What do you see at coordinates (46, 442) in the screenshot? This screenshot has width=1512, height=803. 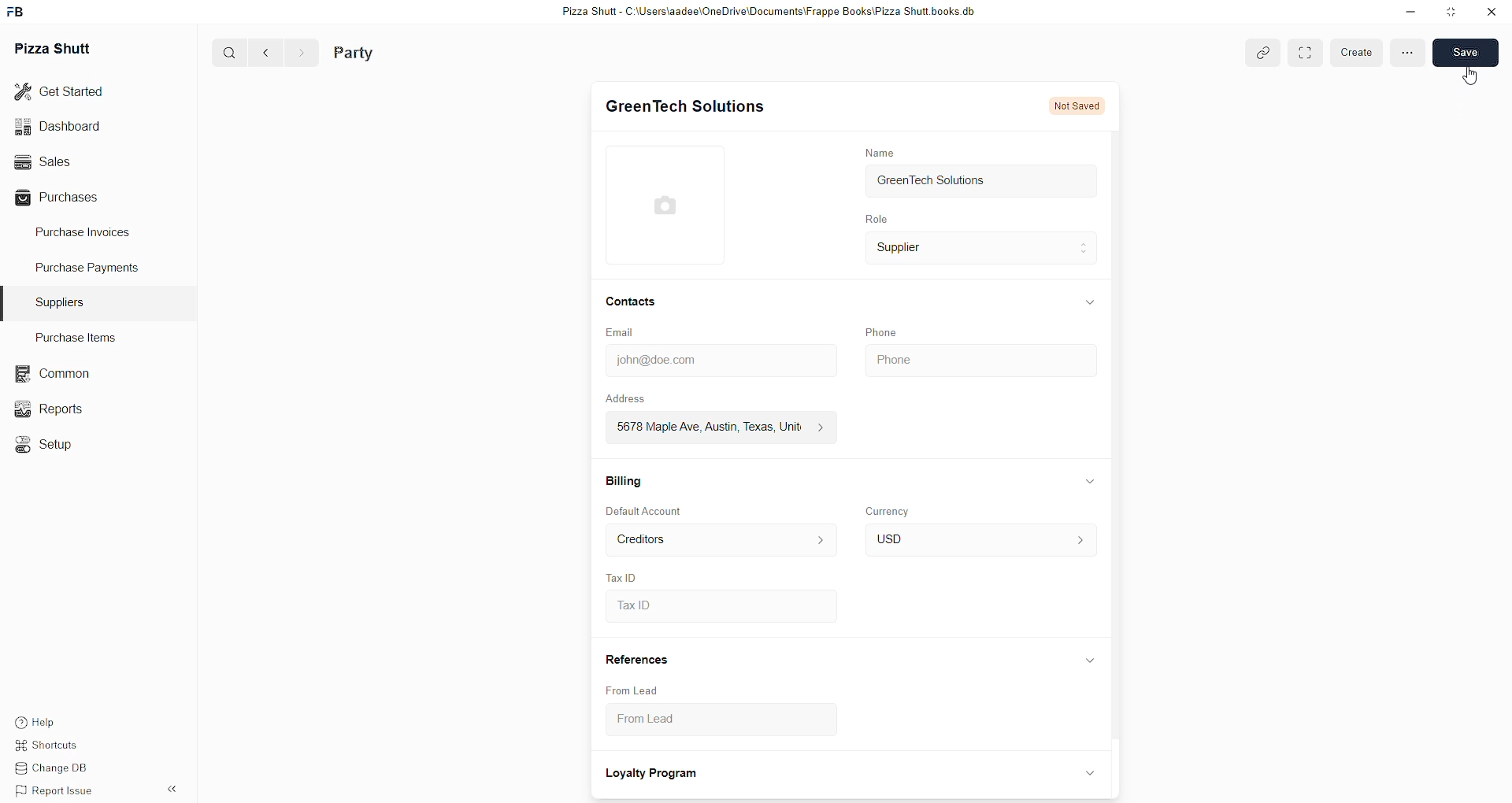 I see `Setup` at bounding box center [46, 442].